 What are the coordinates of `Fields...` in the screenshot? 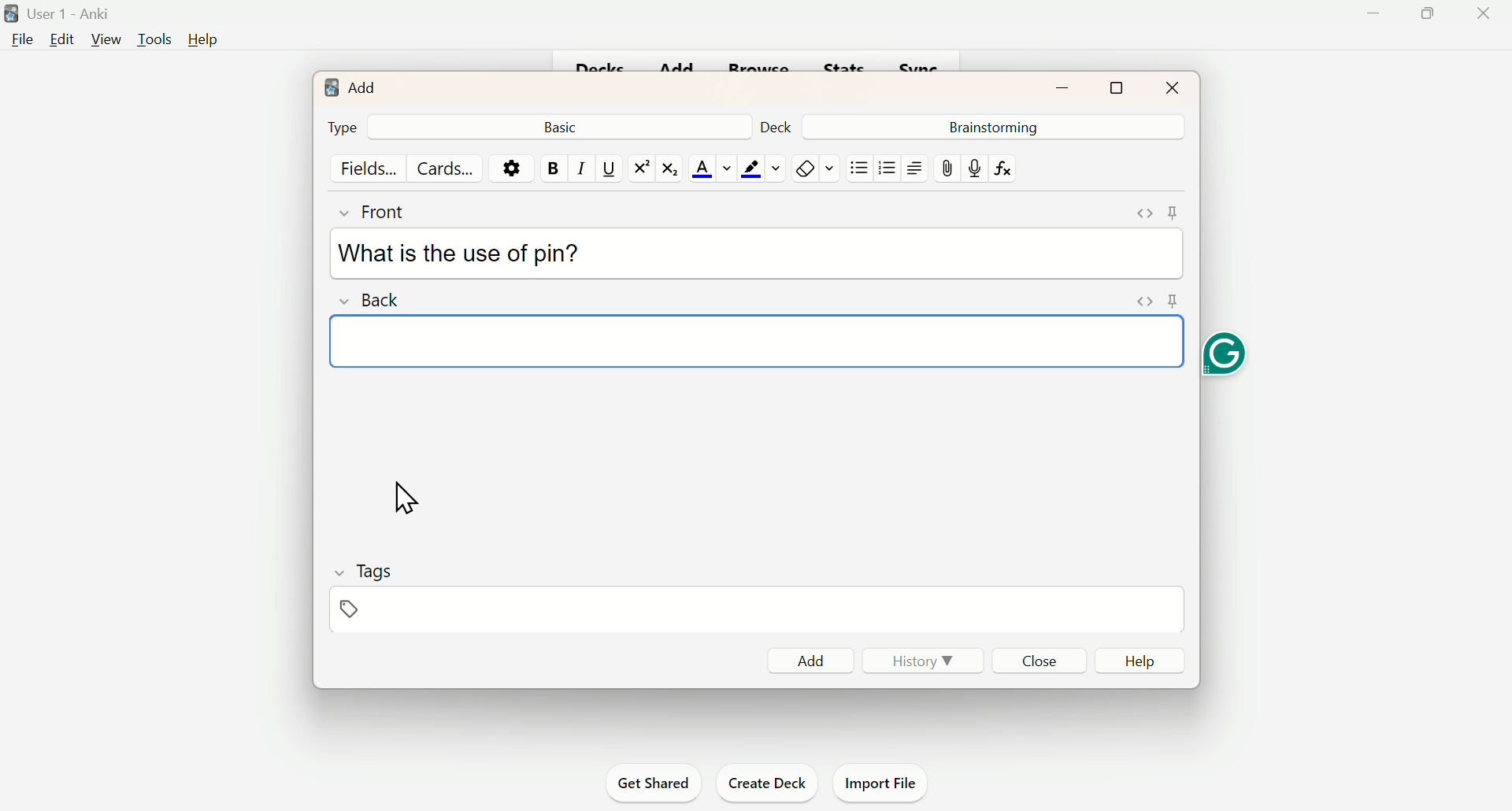 It's located at (372, 168).